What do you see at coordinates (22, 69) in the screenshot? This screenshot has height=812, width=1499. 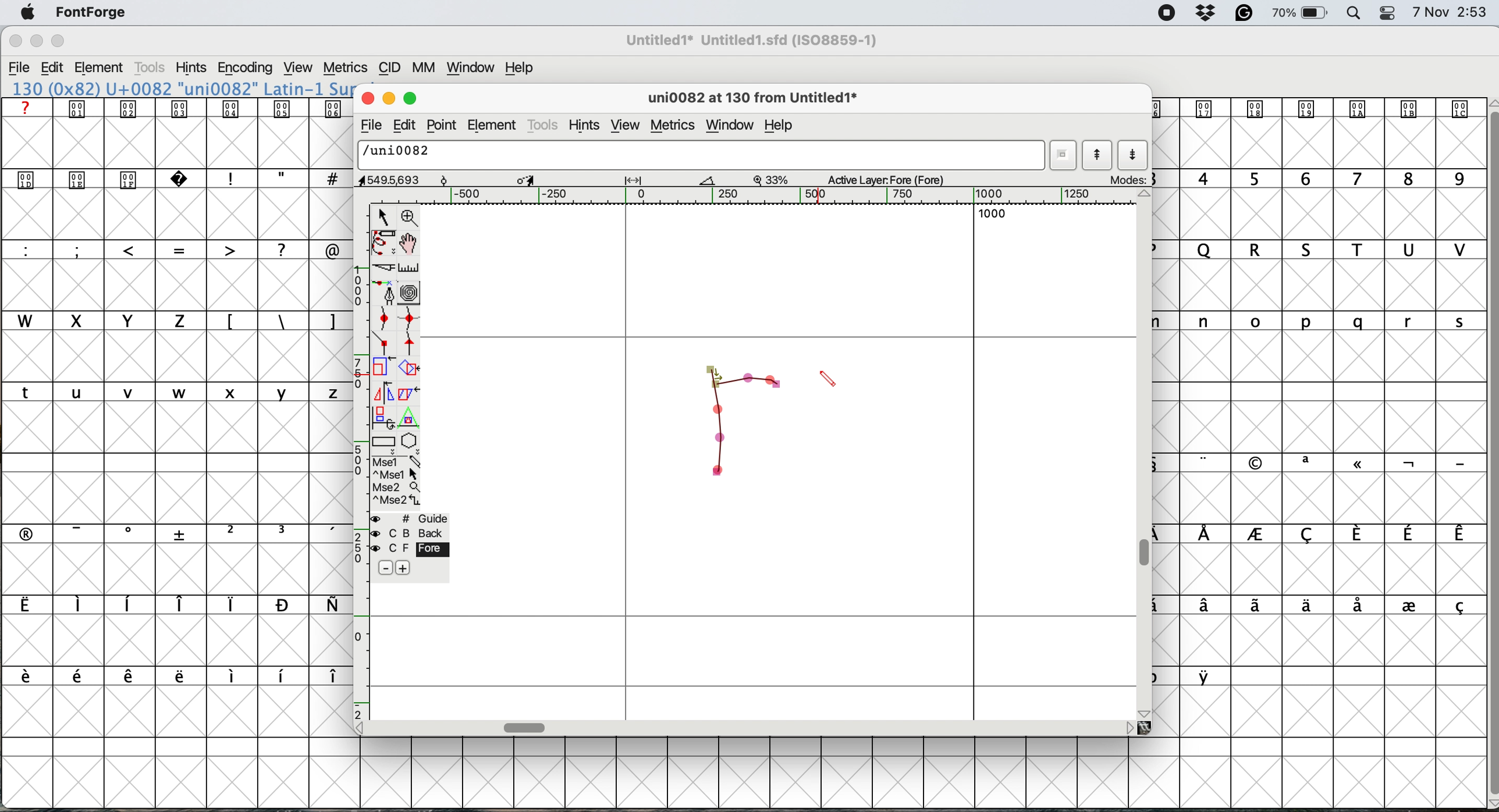 I see `file` at bounding box center [22, 69].